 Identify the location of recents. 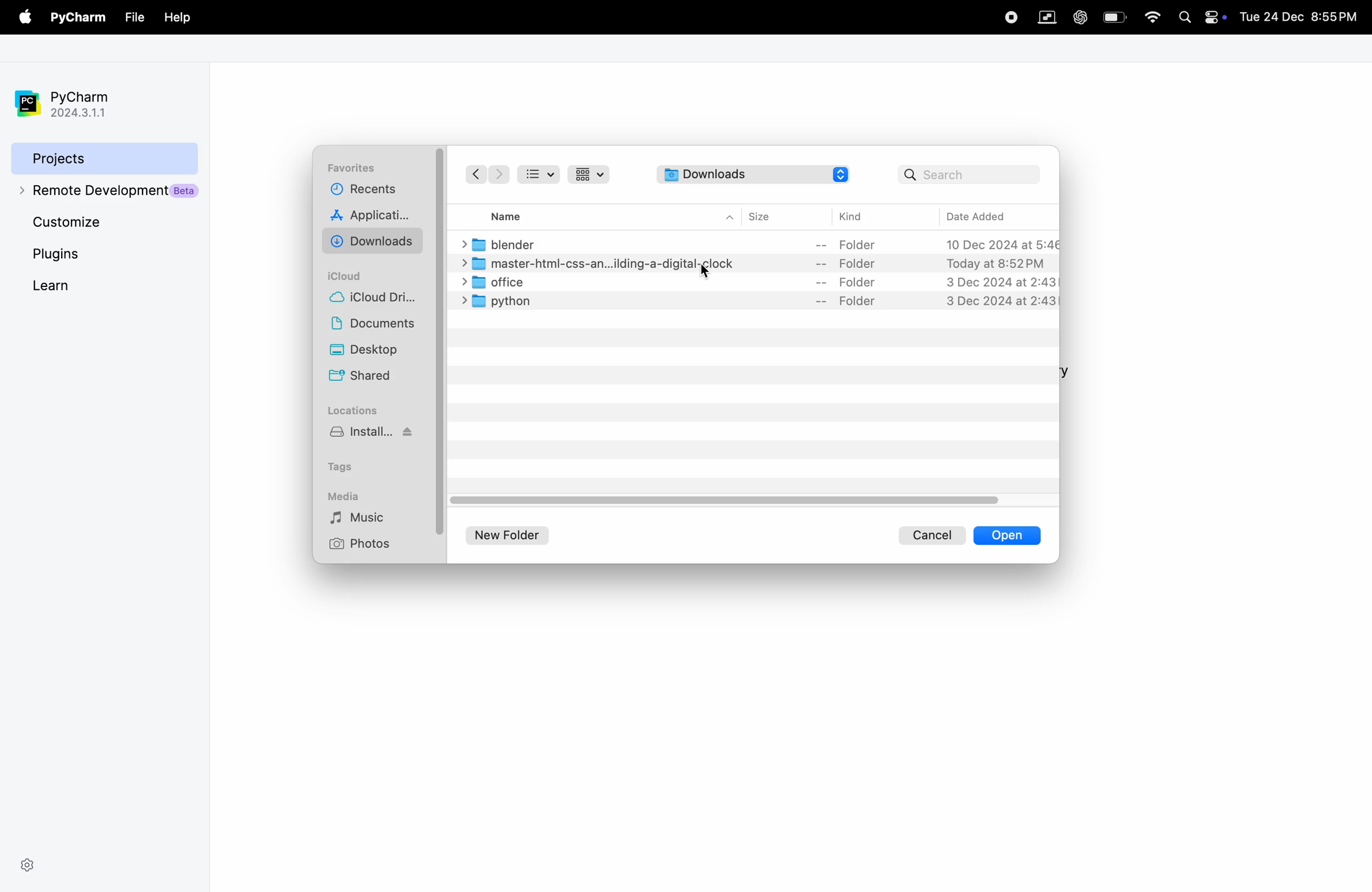
(361, 192).